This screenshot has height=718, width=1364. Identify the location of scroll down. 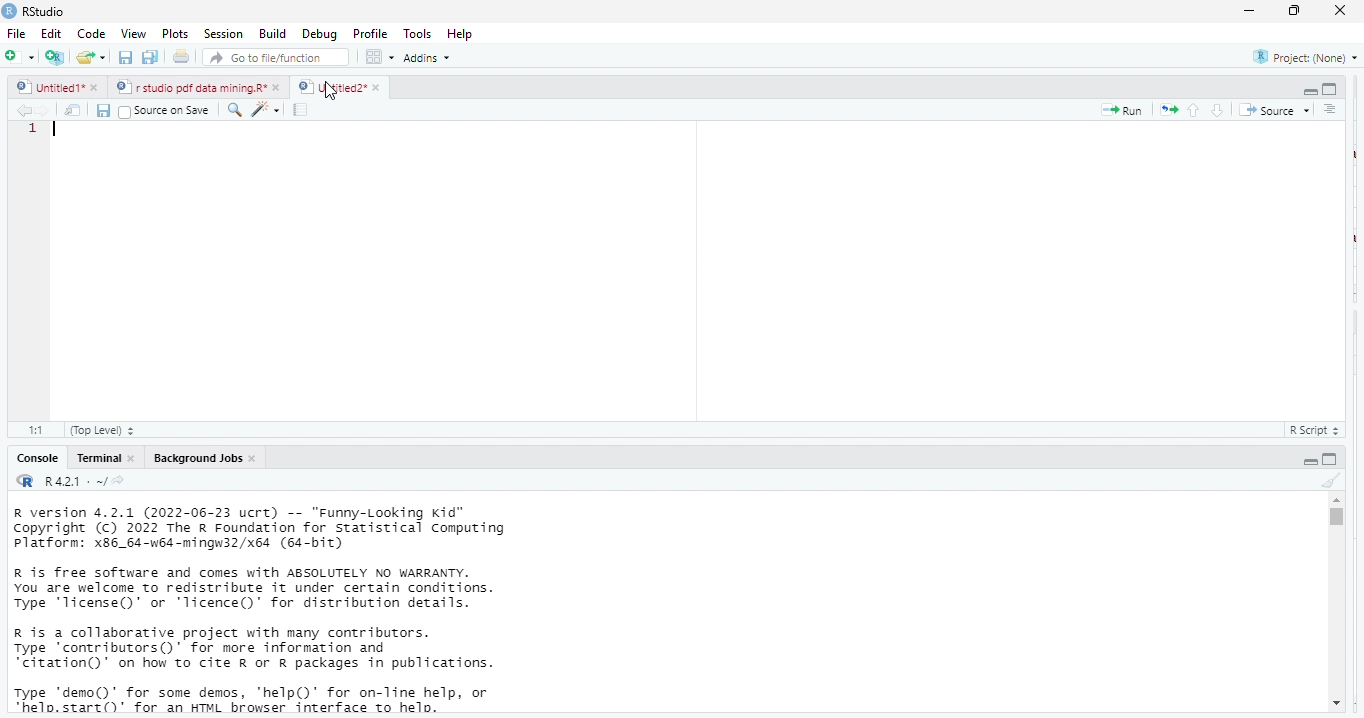
(1335, 705).